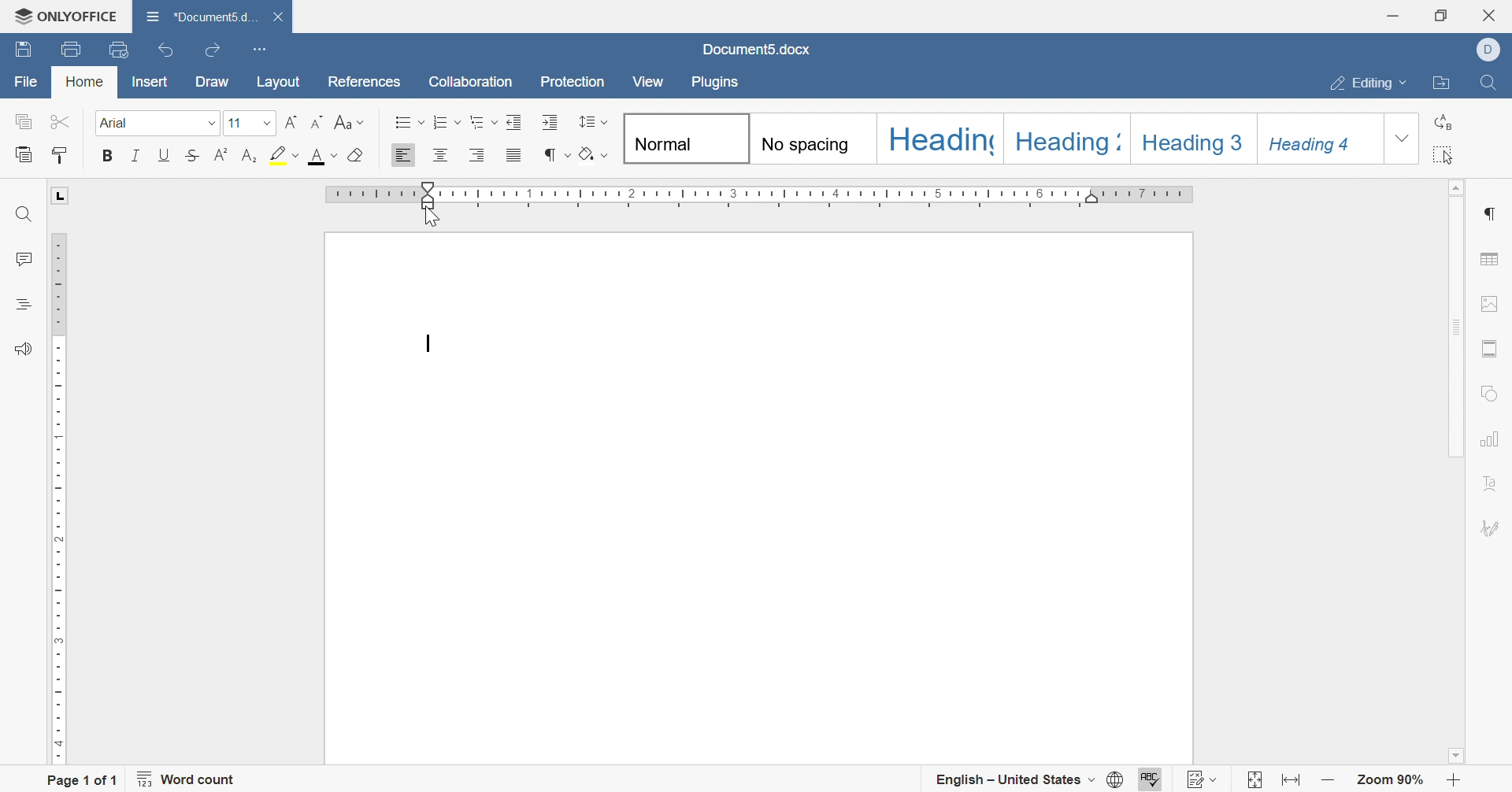  Describe the element at coordinates (470, 80) in the screenshot. I see `collaboration` at that location.